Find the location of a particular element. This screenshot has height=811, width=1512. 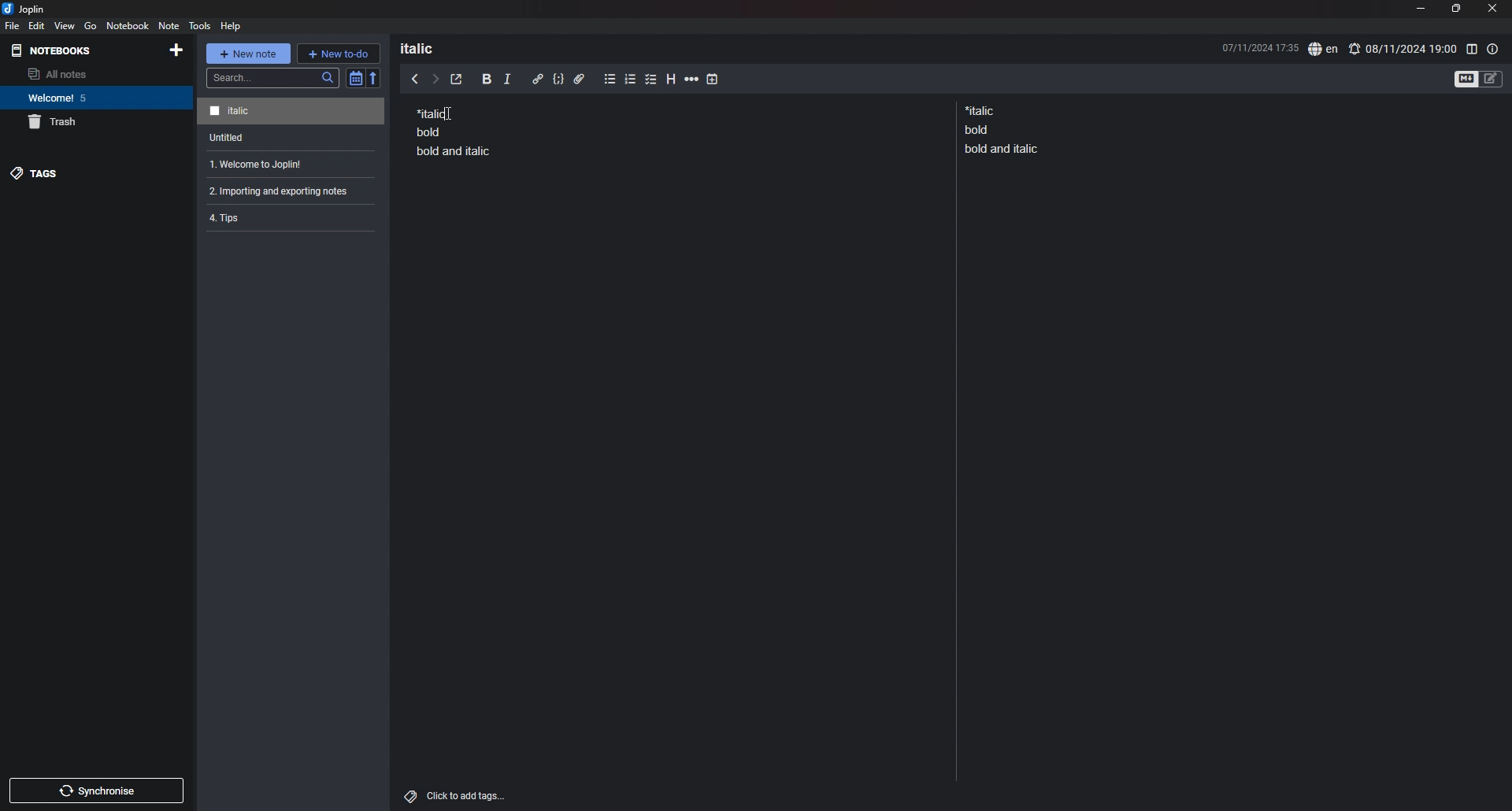

bullet list is located at coordinates (610, 80).